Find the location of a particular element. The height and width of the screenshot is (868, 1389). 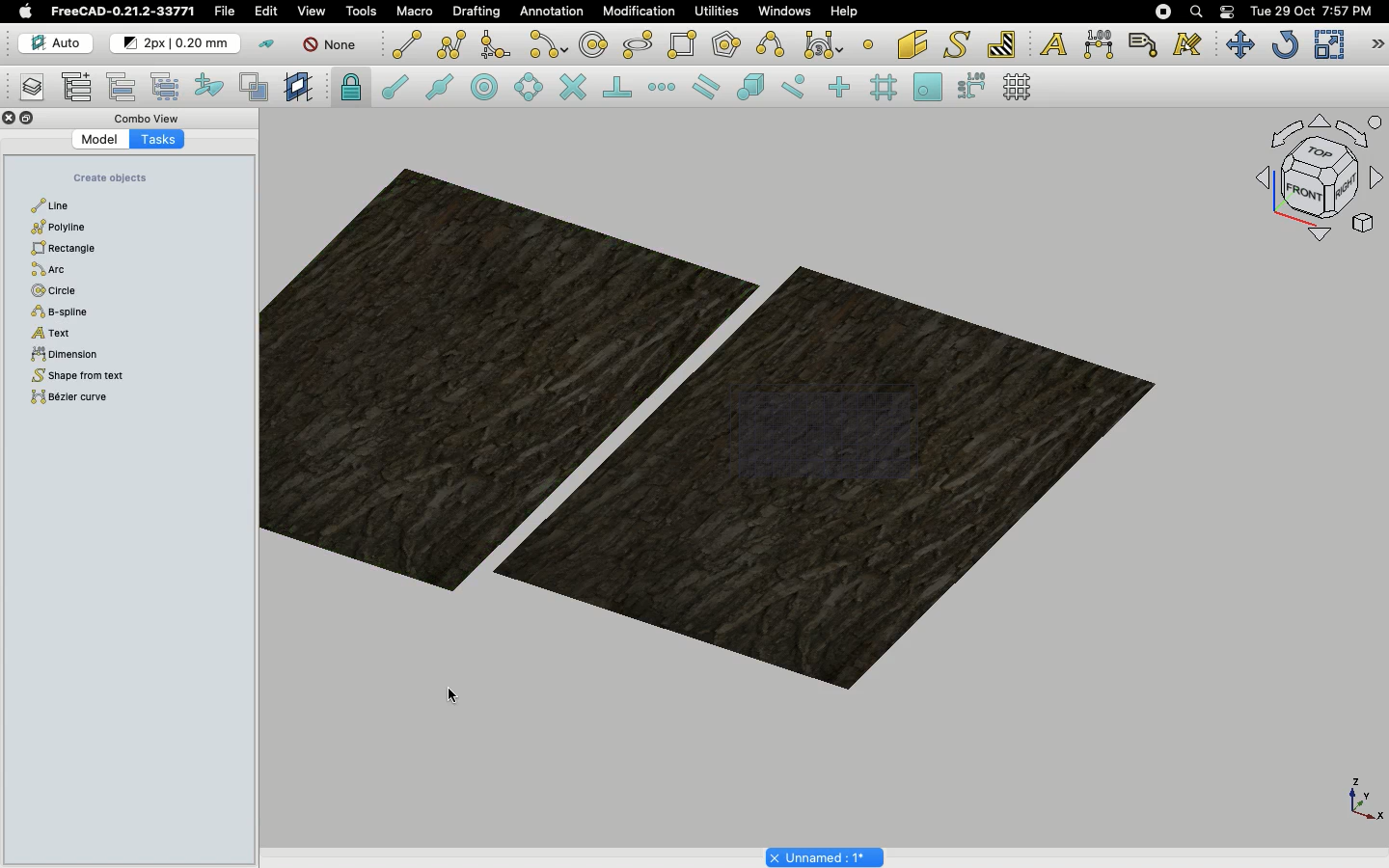

Notification is located at coordinates (1229, 11).